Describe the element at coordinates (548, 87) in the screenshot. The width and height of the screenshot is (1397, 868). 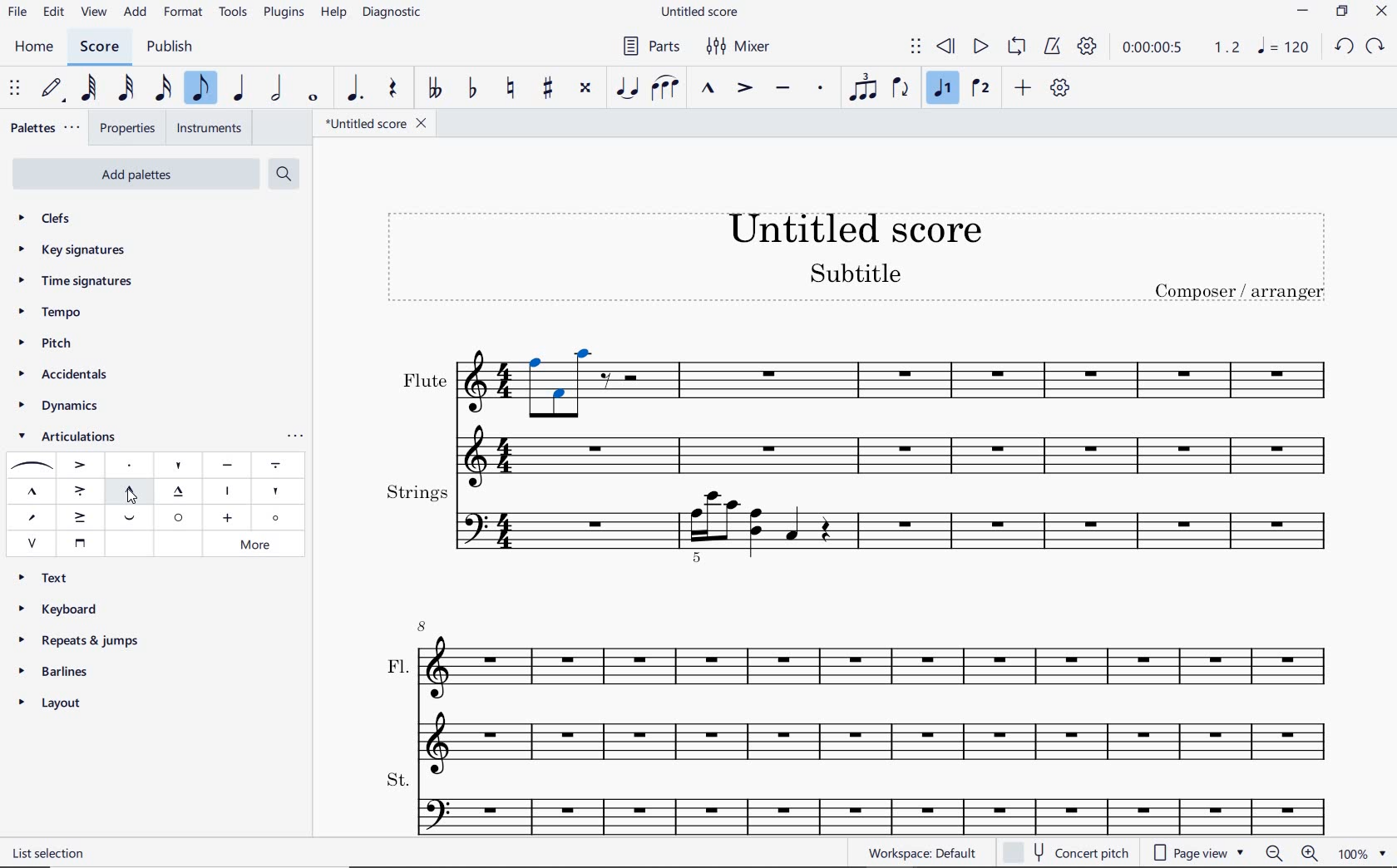
I see `TOGGLE SHARP` at that location.